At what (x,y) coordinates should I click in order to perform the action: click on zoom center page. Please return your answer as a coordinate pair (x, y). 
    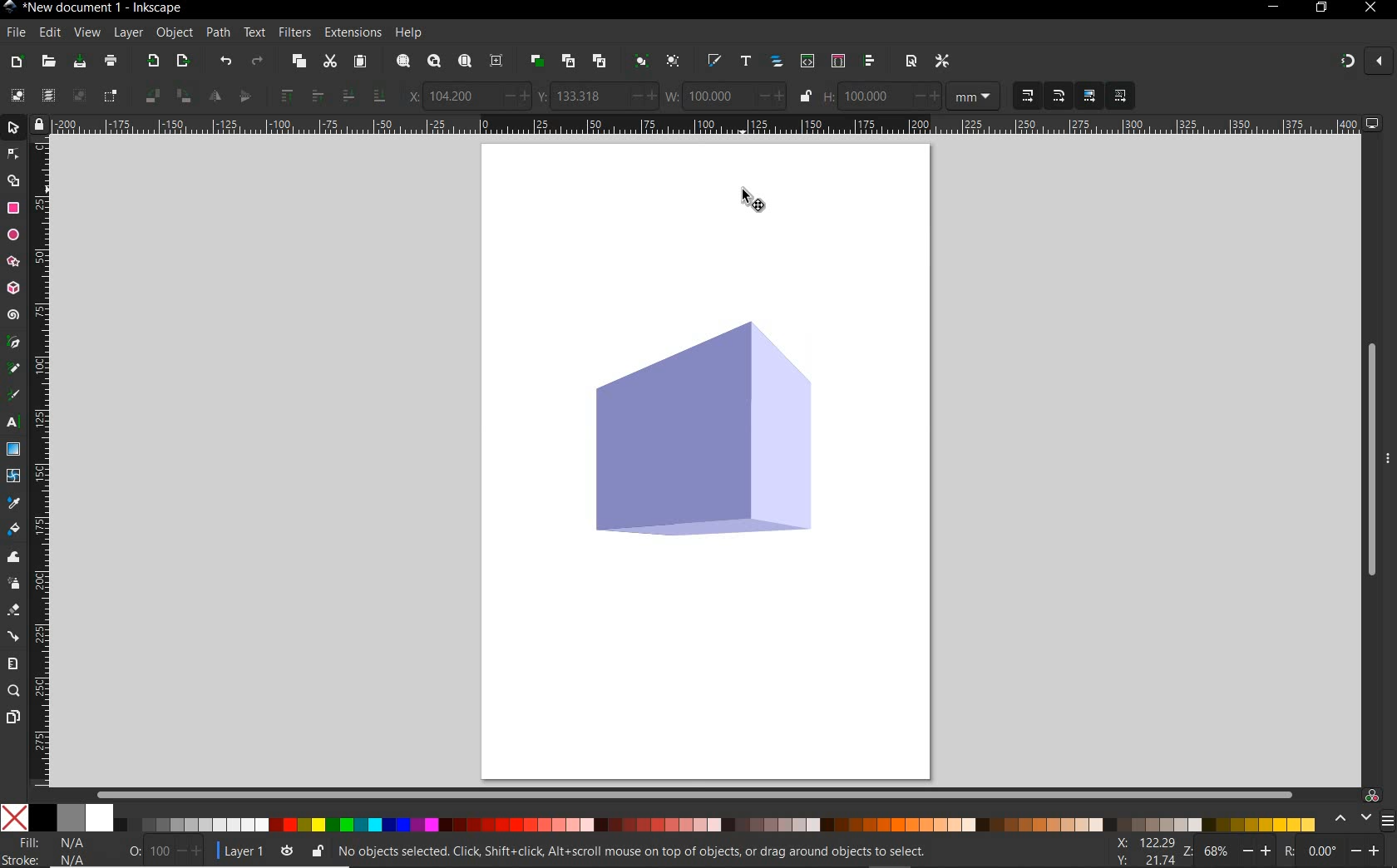
    Looking at the image, I should click on (496, 60).